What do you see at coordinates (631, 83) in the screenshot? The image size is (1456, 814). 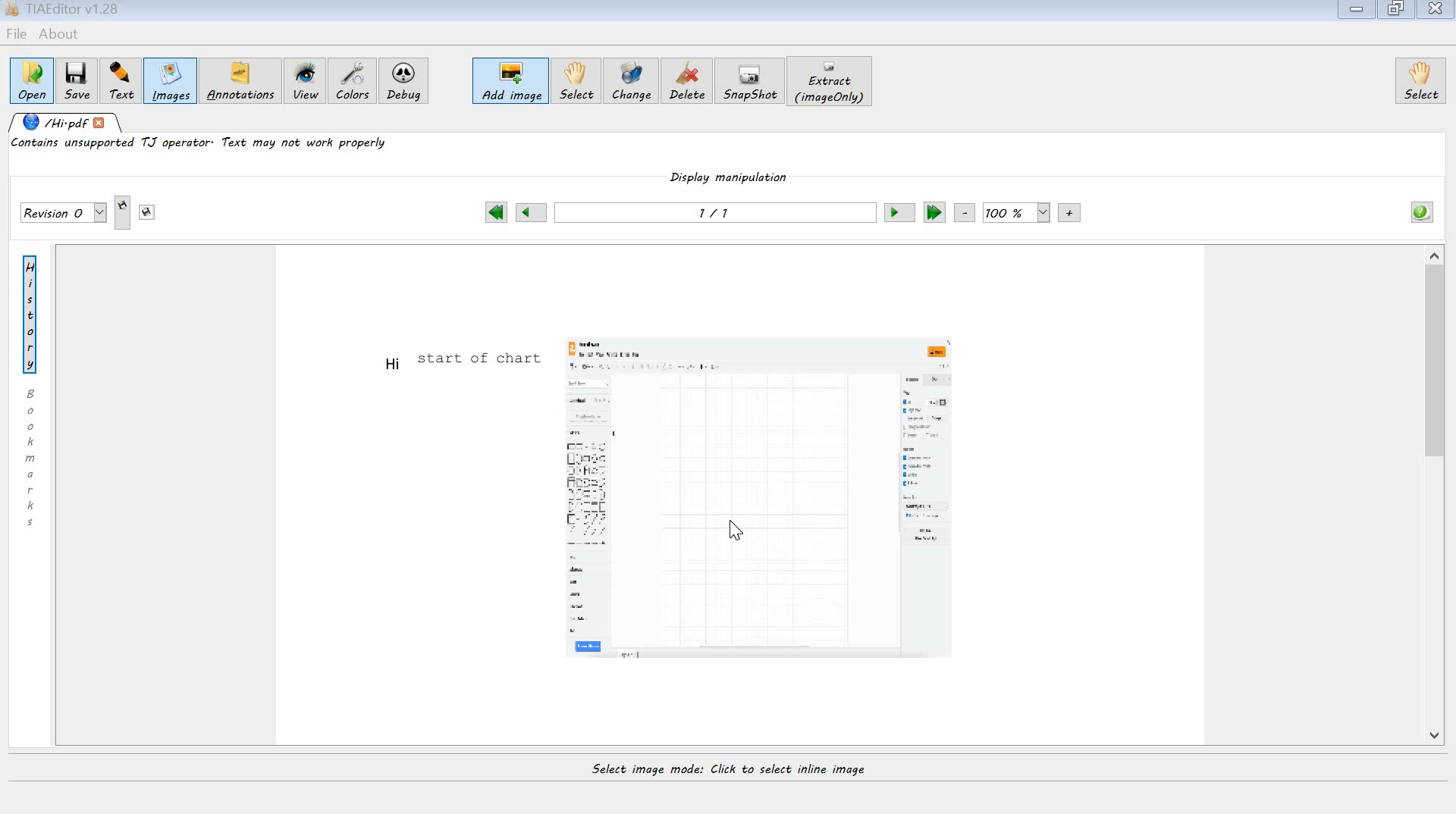 I see `change` at bounding box center [631, 83].